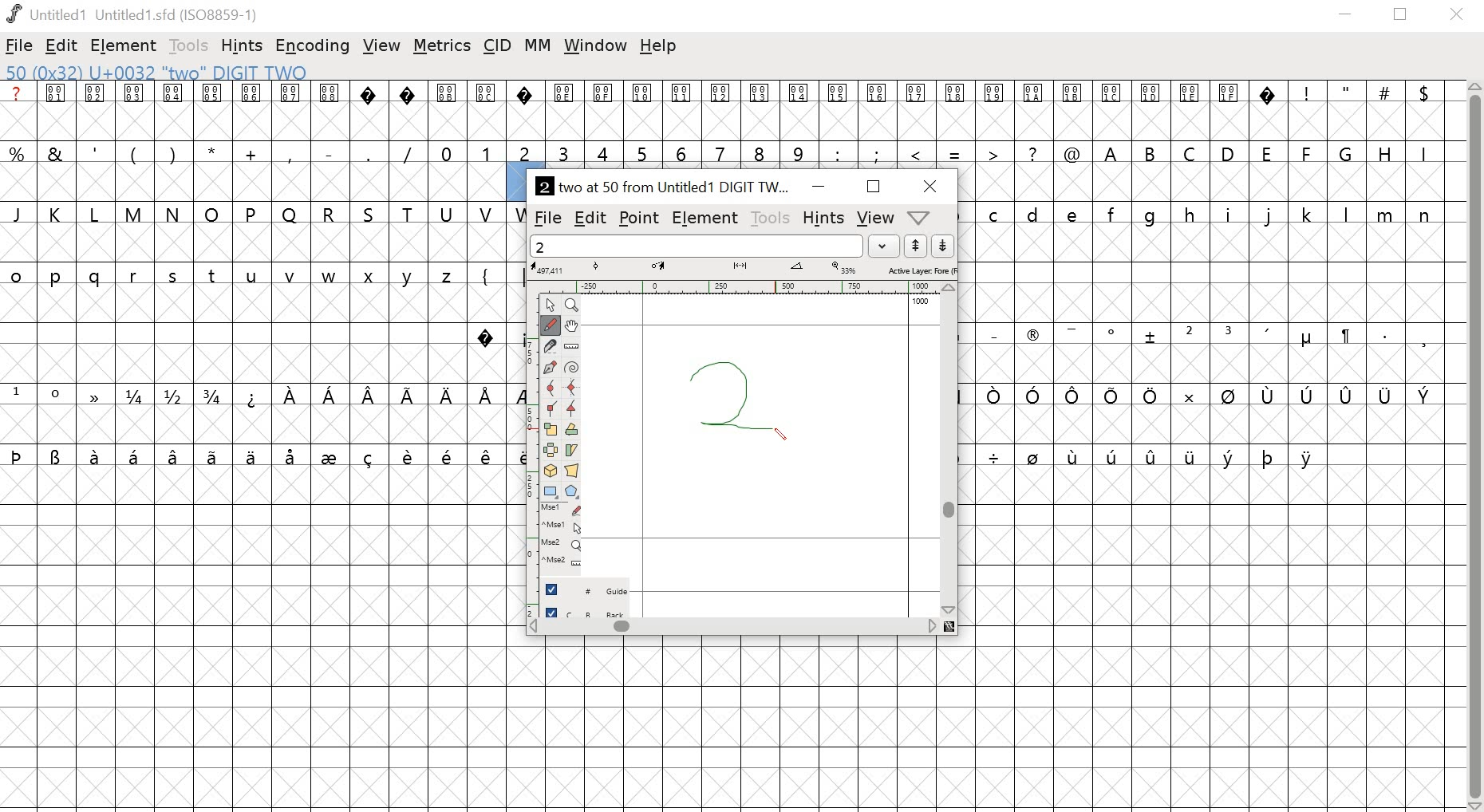 This screenshot has width=1484, height=812. I want to click on rectangle/ellipse, so click(552, 491).